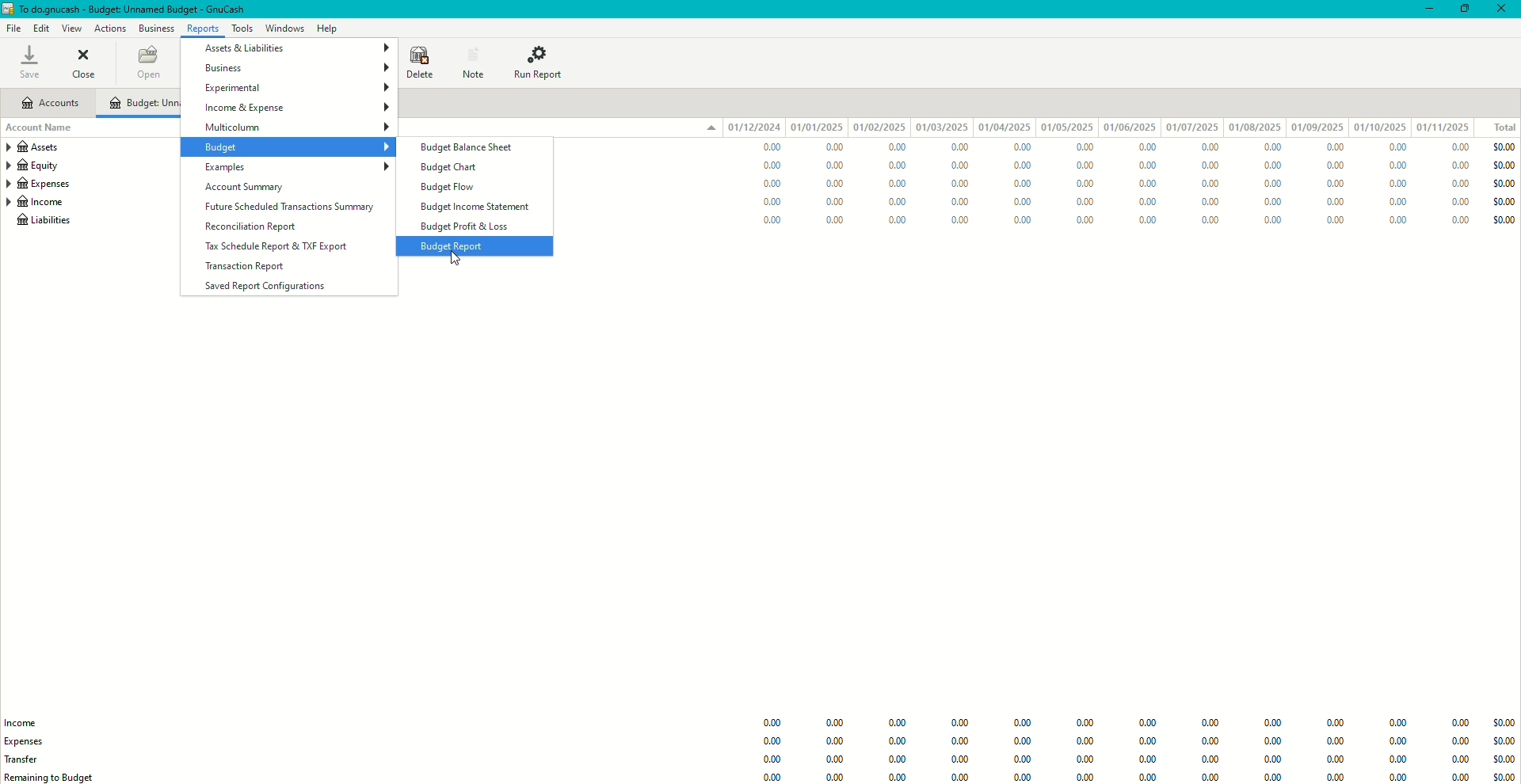  What do you see at coordinates (296, 67) in the screenshot?
I see `Business` at bounding box center [296, 67].